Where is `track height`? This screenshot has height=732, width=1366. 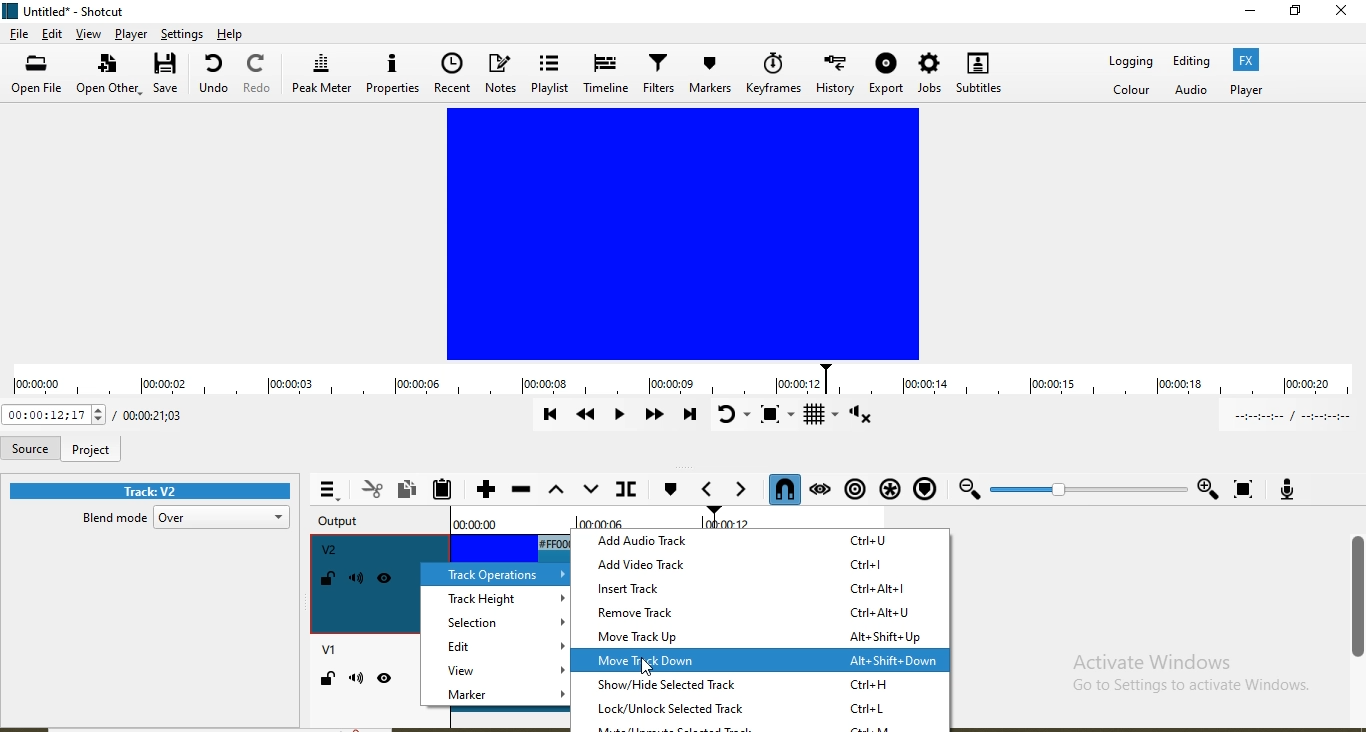
track height is located at coordinates (494, 599).